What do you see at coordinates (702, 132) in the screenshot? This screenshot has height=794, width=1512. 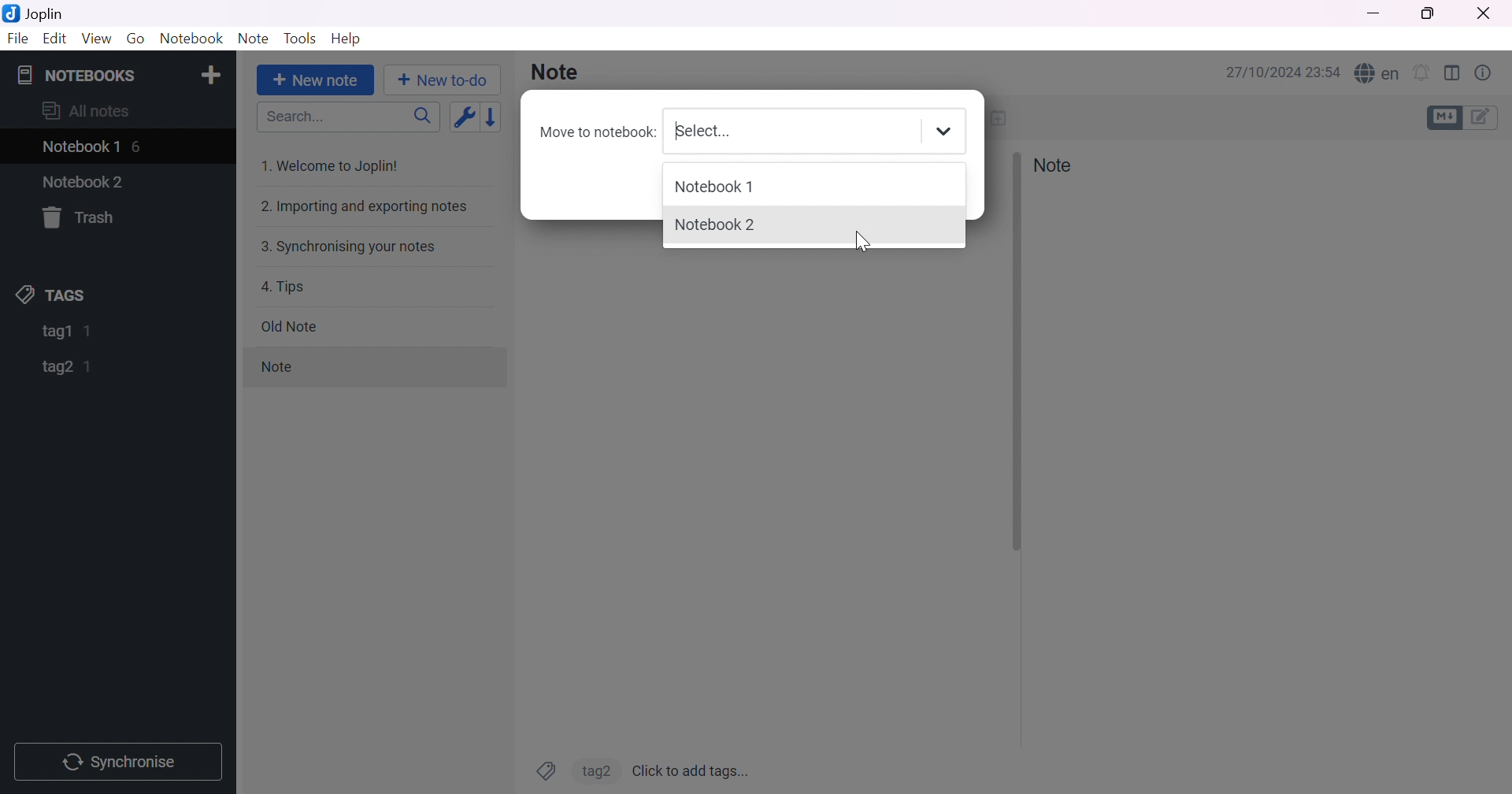 I see `Select...` at bounding box center [702, 132].